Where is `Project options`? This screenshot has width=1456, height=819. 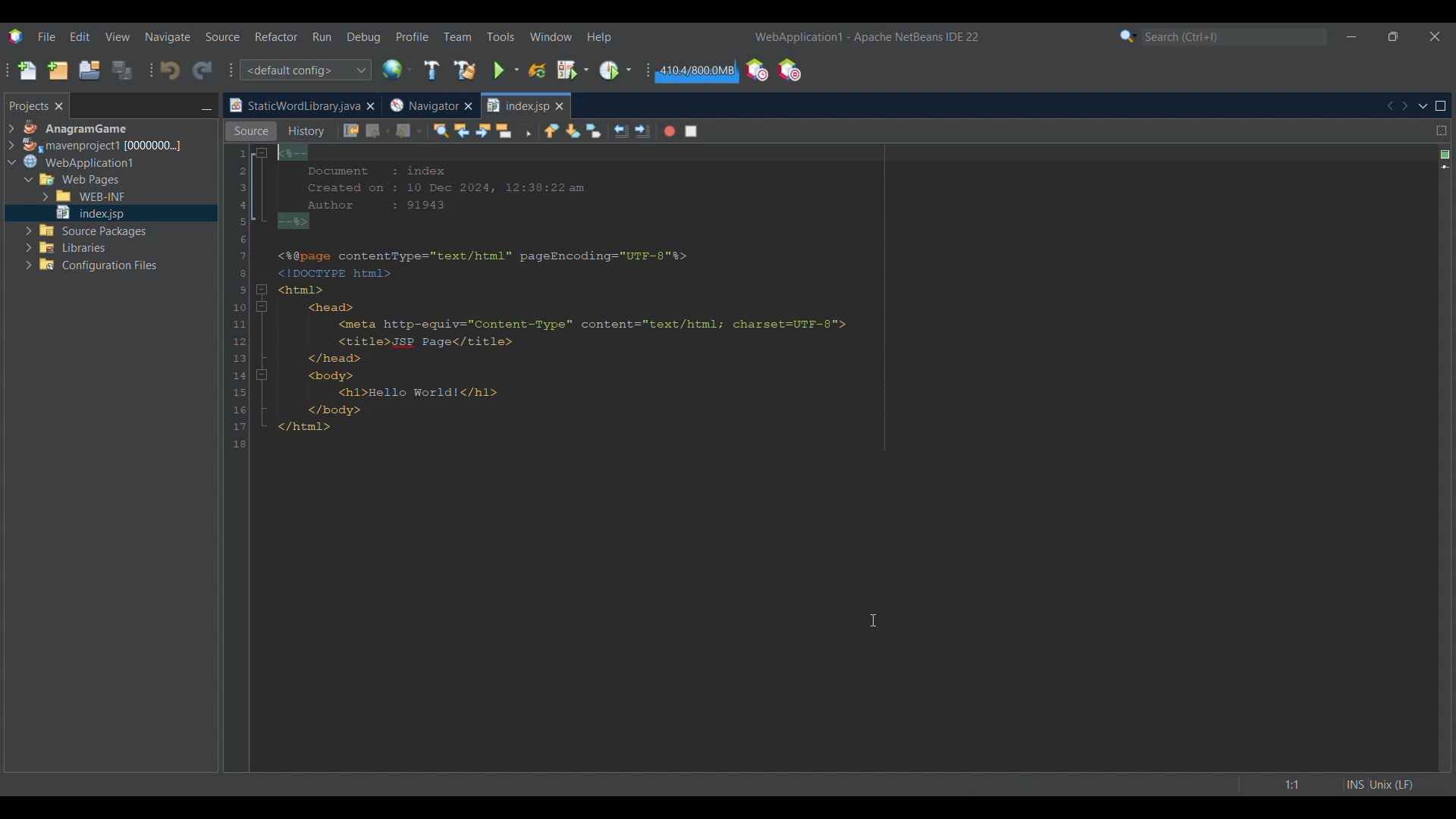
Project options is located at coordinates (103, 135).